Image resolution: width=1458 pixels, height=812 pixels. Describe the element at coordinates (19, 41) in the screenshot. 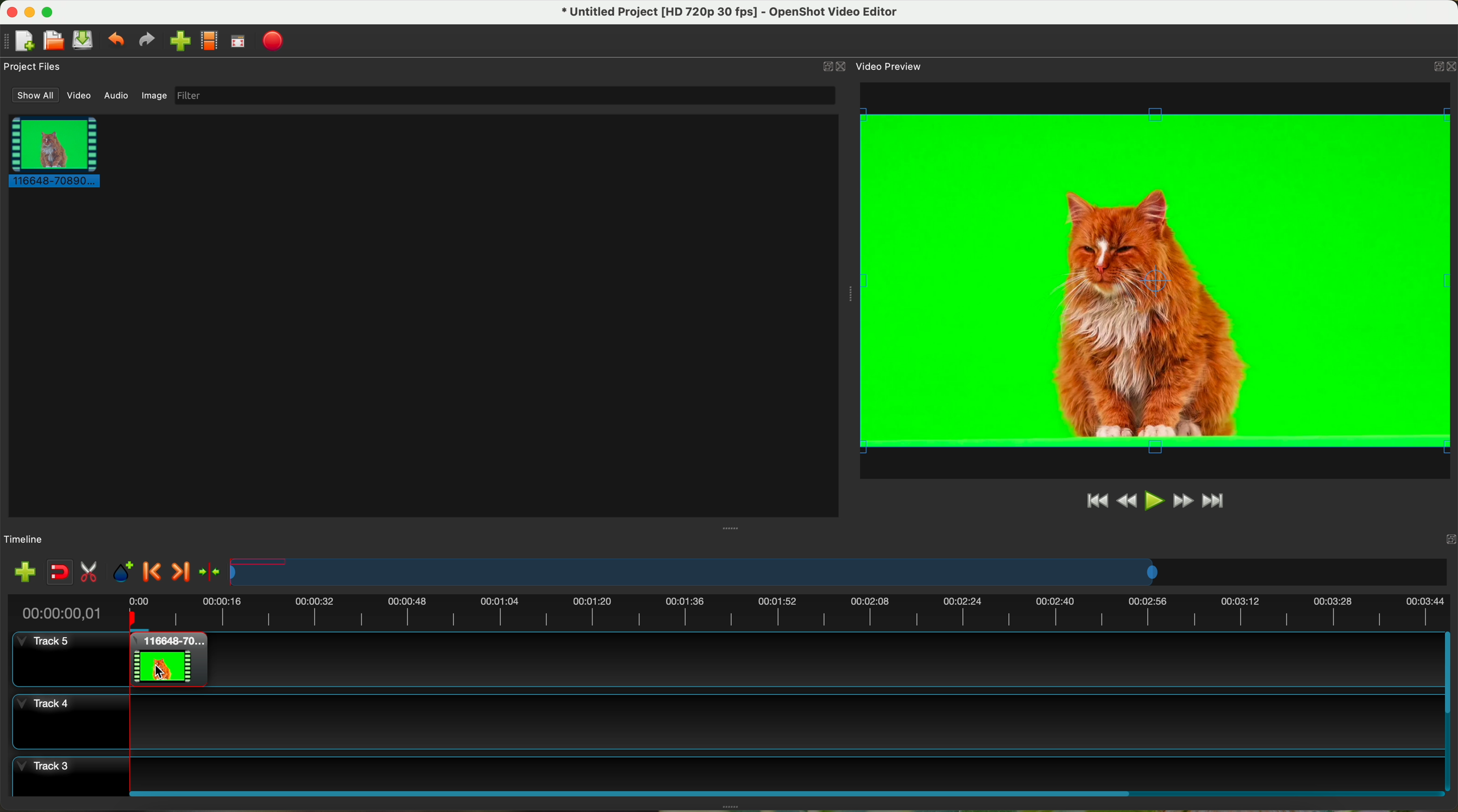

I see `new project` at that location.